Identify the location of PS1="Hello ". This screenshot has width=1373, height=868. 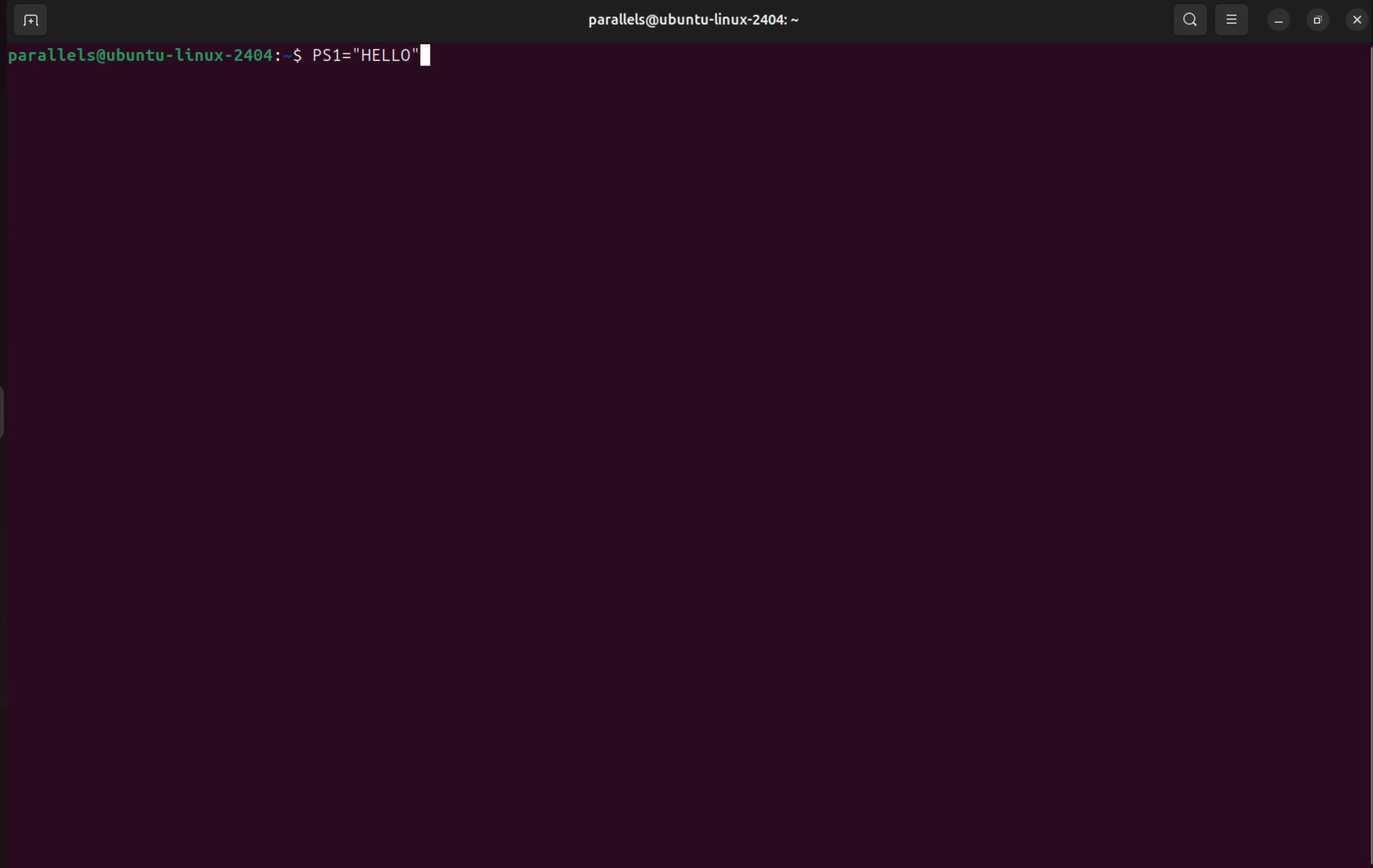
(375, 56).